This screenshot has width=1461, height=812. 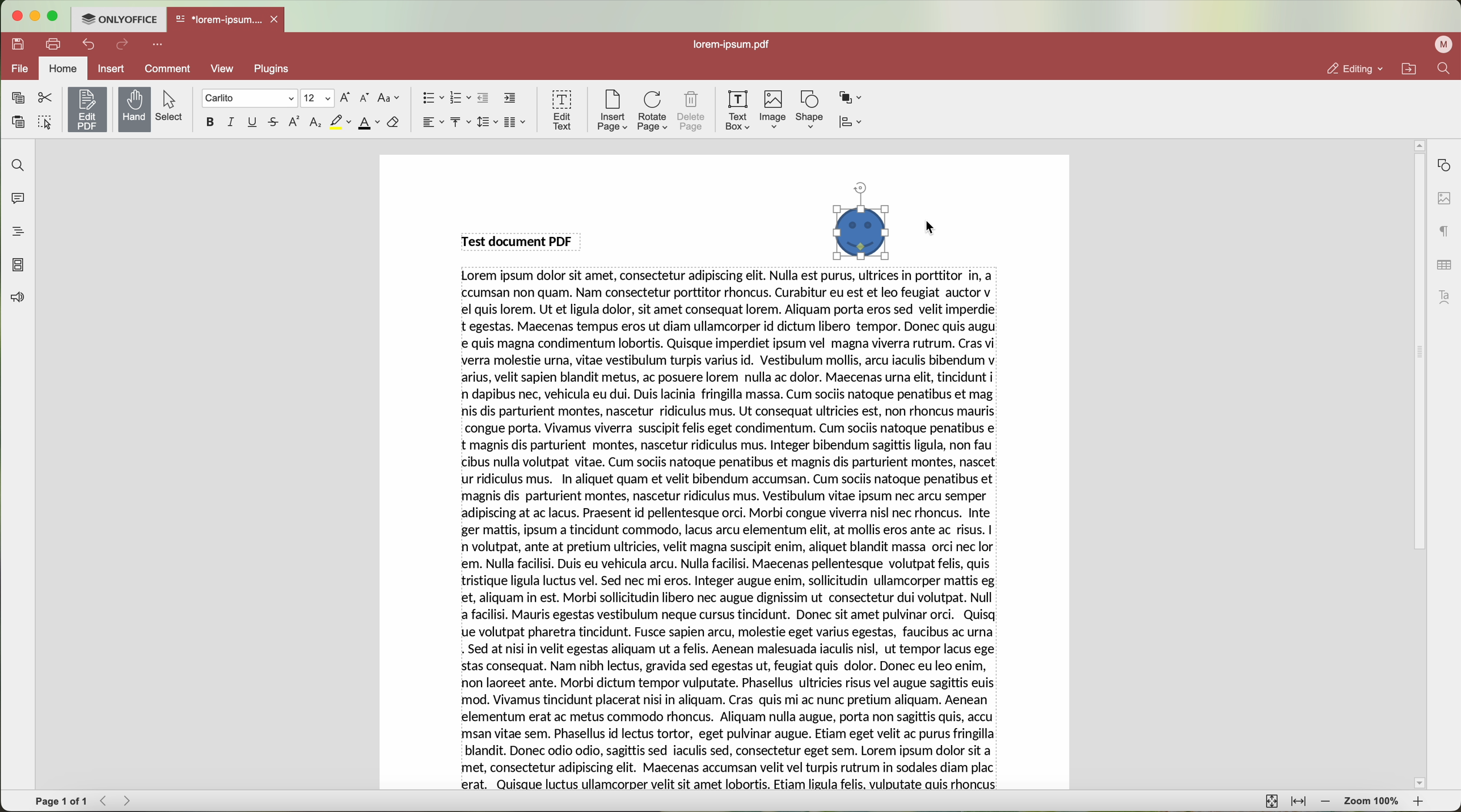 I want to click on delete page, so click(x=693, y=111).